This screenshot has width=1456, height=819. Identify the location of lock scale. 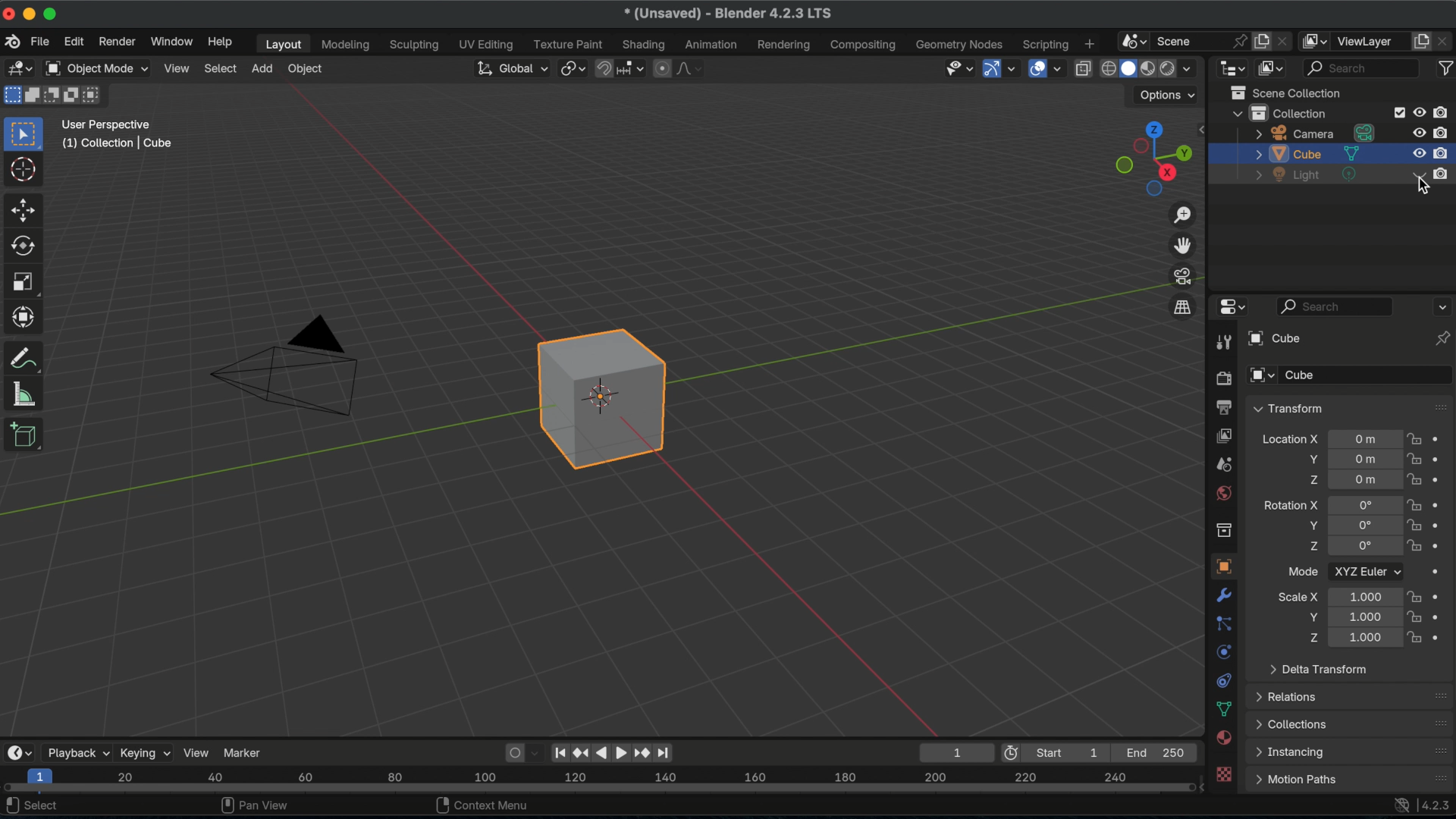
(1414, 596).